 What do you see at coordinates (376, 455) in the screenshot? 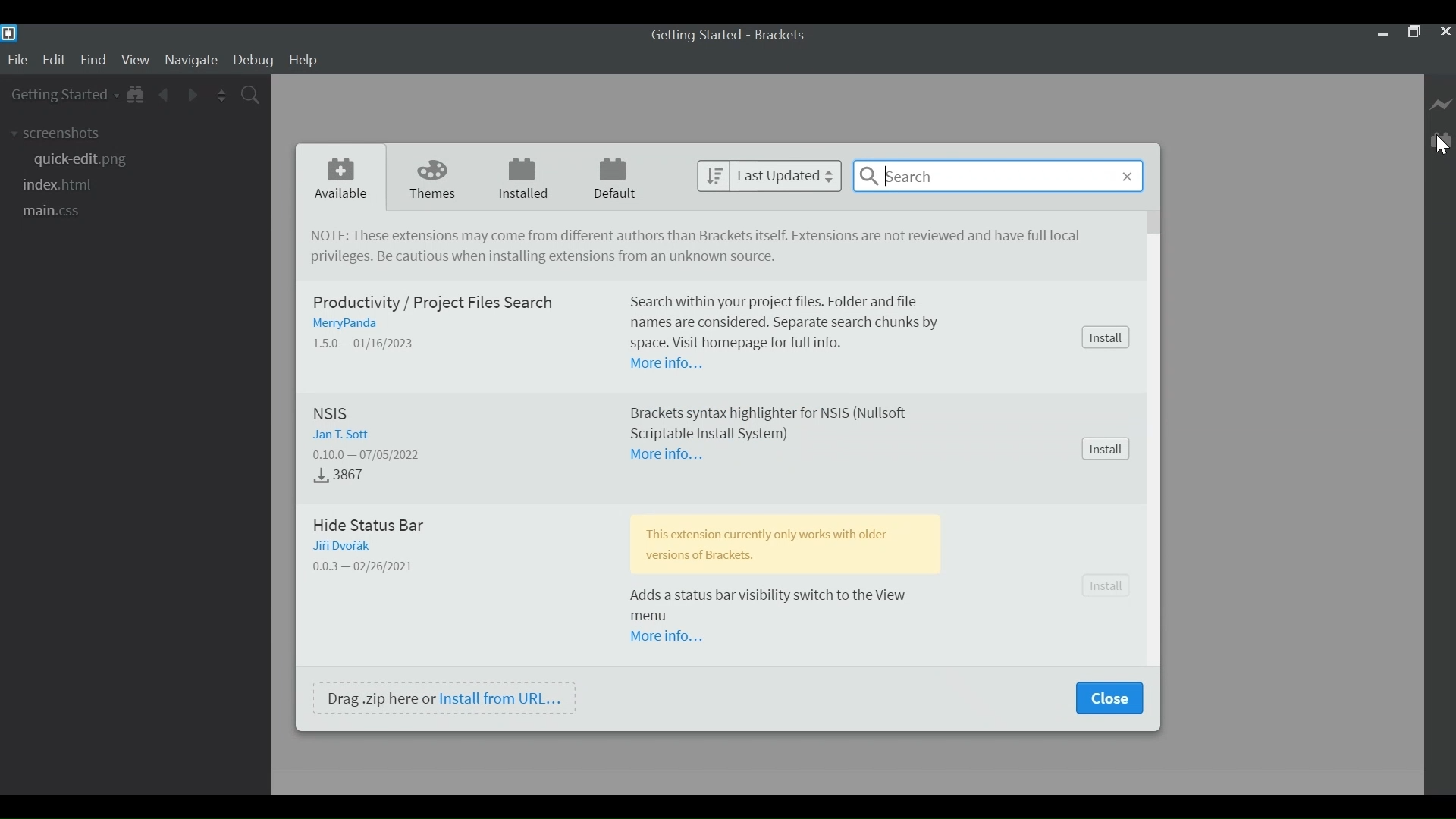
I see `Version - Released Date` at bounding box center [376, 455].